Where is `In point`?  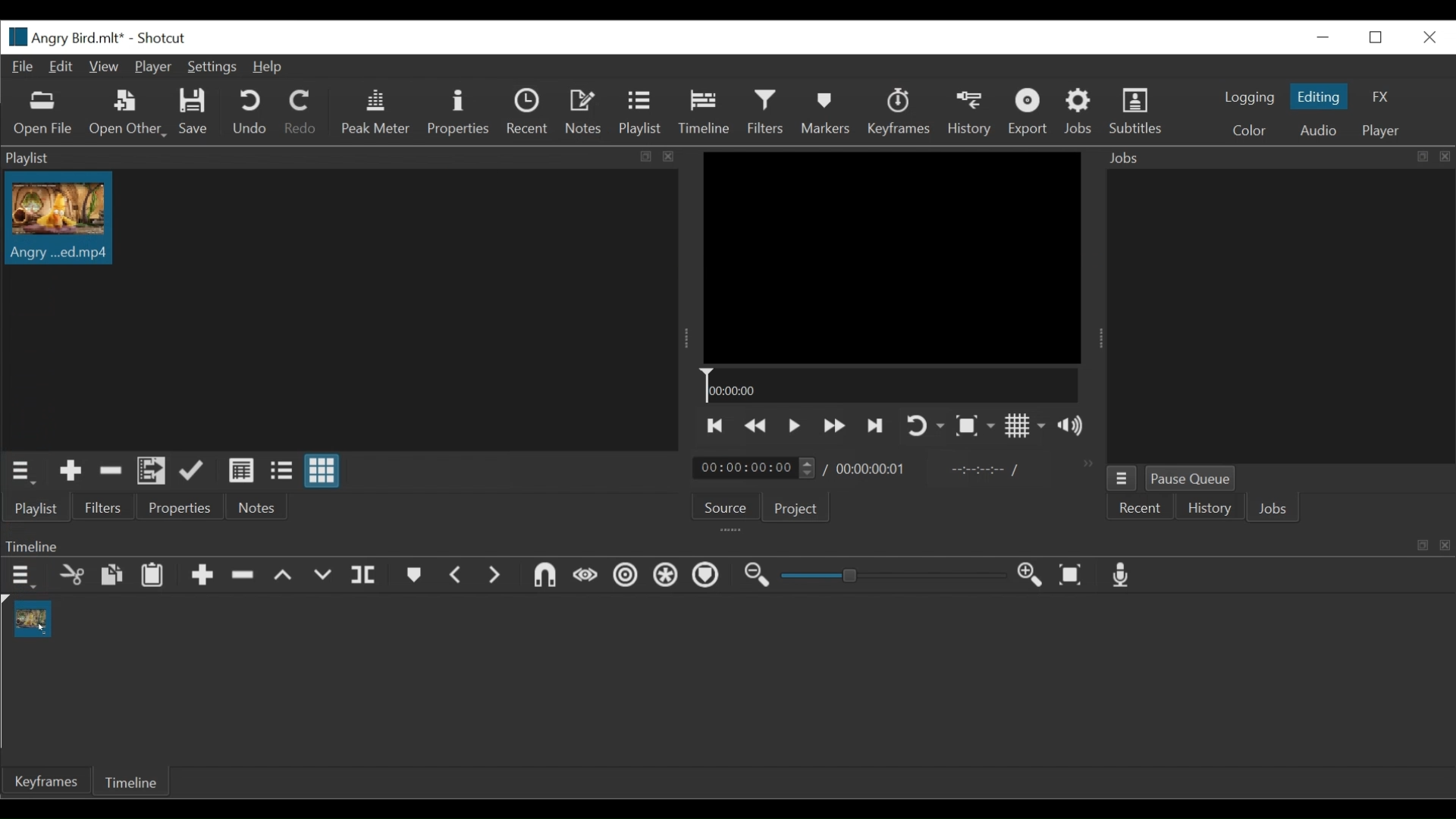 In point is located at coordinates (977, 471).